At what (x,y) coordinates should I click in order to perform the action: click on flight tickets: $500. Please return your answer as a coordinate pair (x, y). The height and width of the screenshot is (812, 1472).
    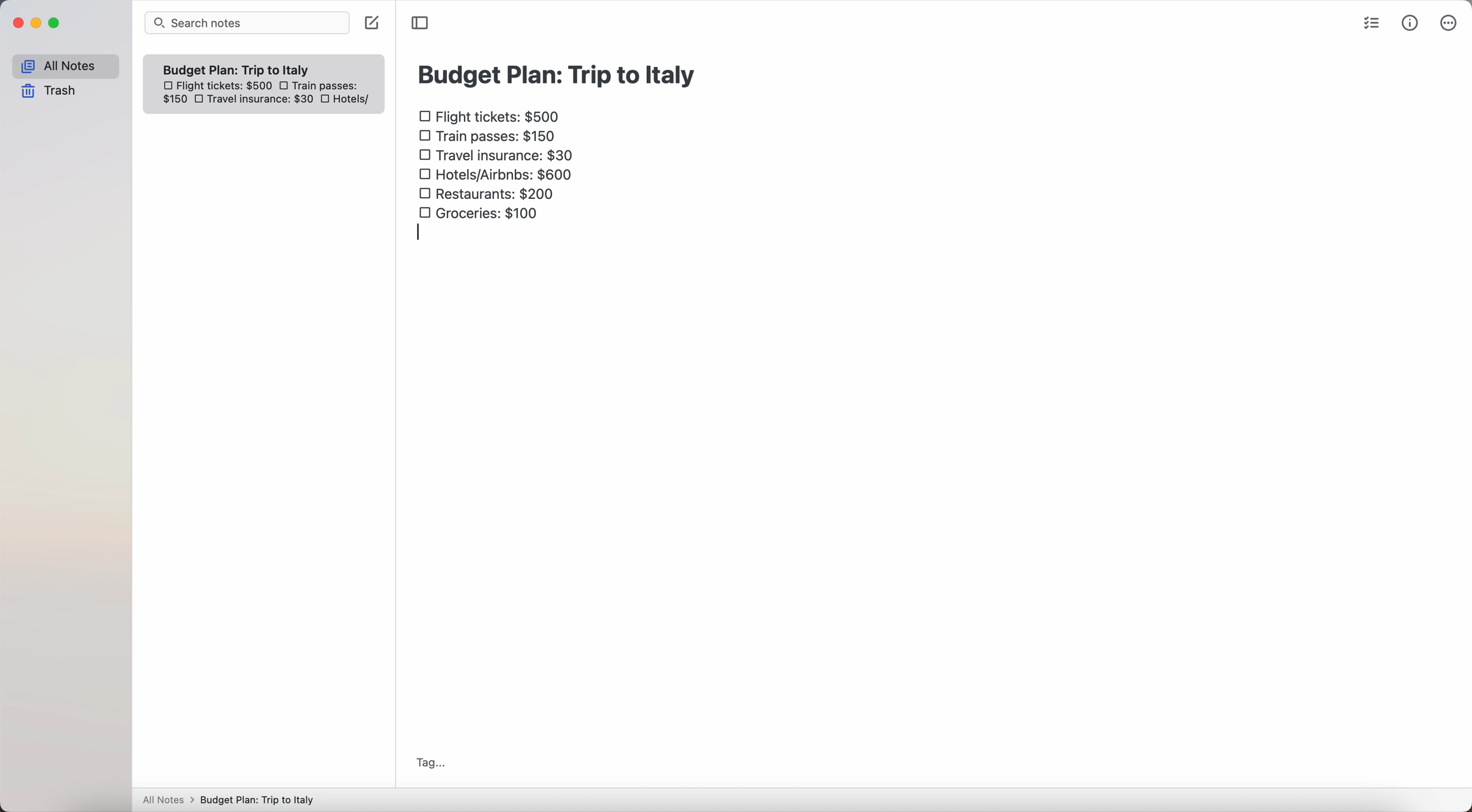
    Looking at the image, I should click on (217, 87).